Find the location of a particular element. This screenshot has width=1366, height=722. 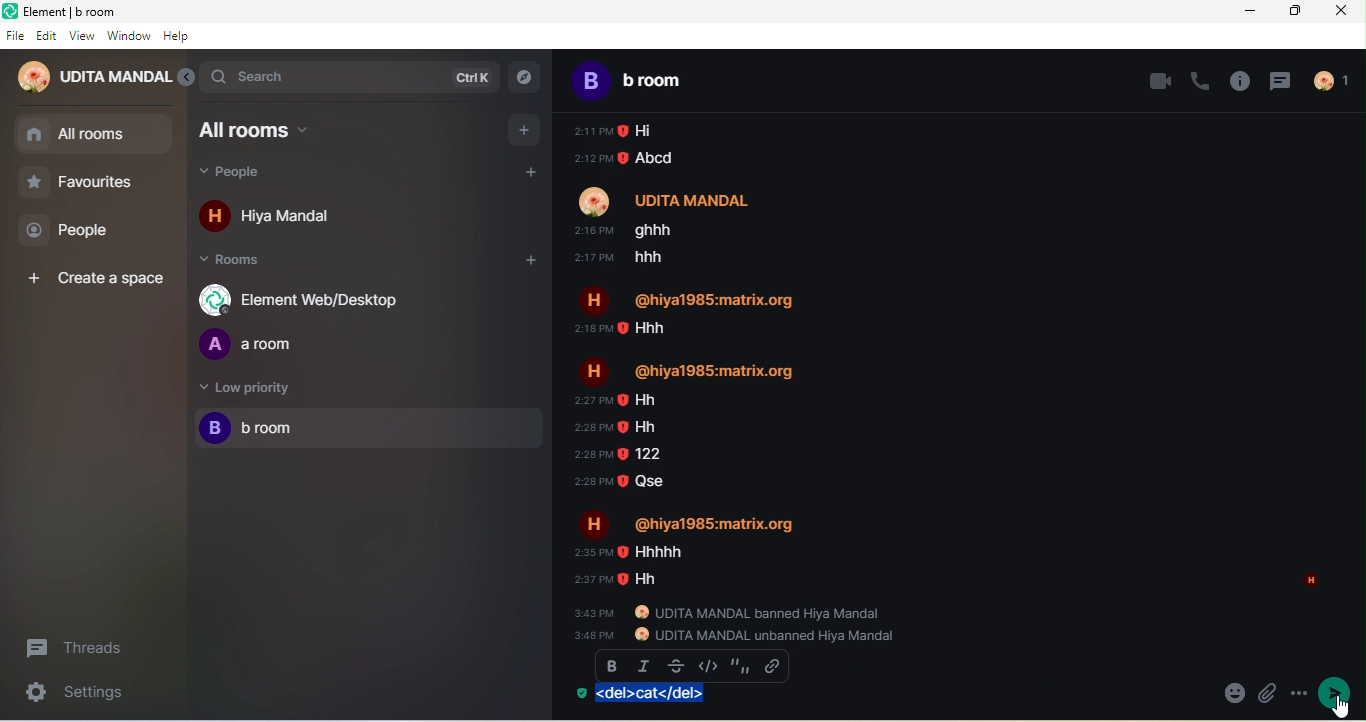

explore is located at coordinates (525, 78).